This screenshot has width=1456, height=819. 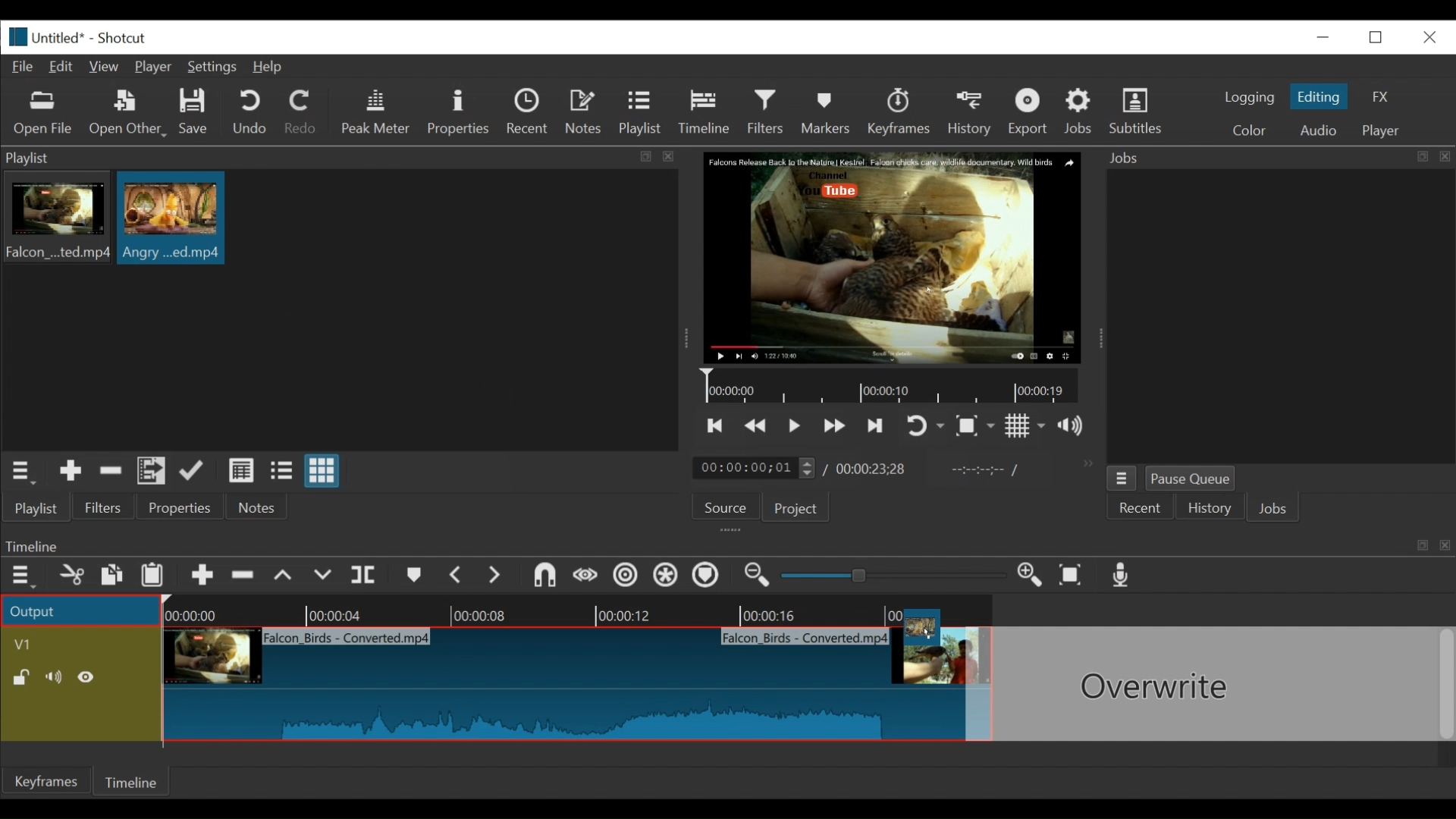 I want to click on clip, so click(x=55, y=220).